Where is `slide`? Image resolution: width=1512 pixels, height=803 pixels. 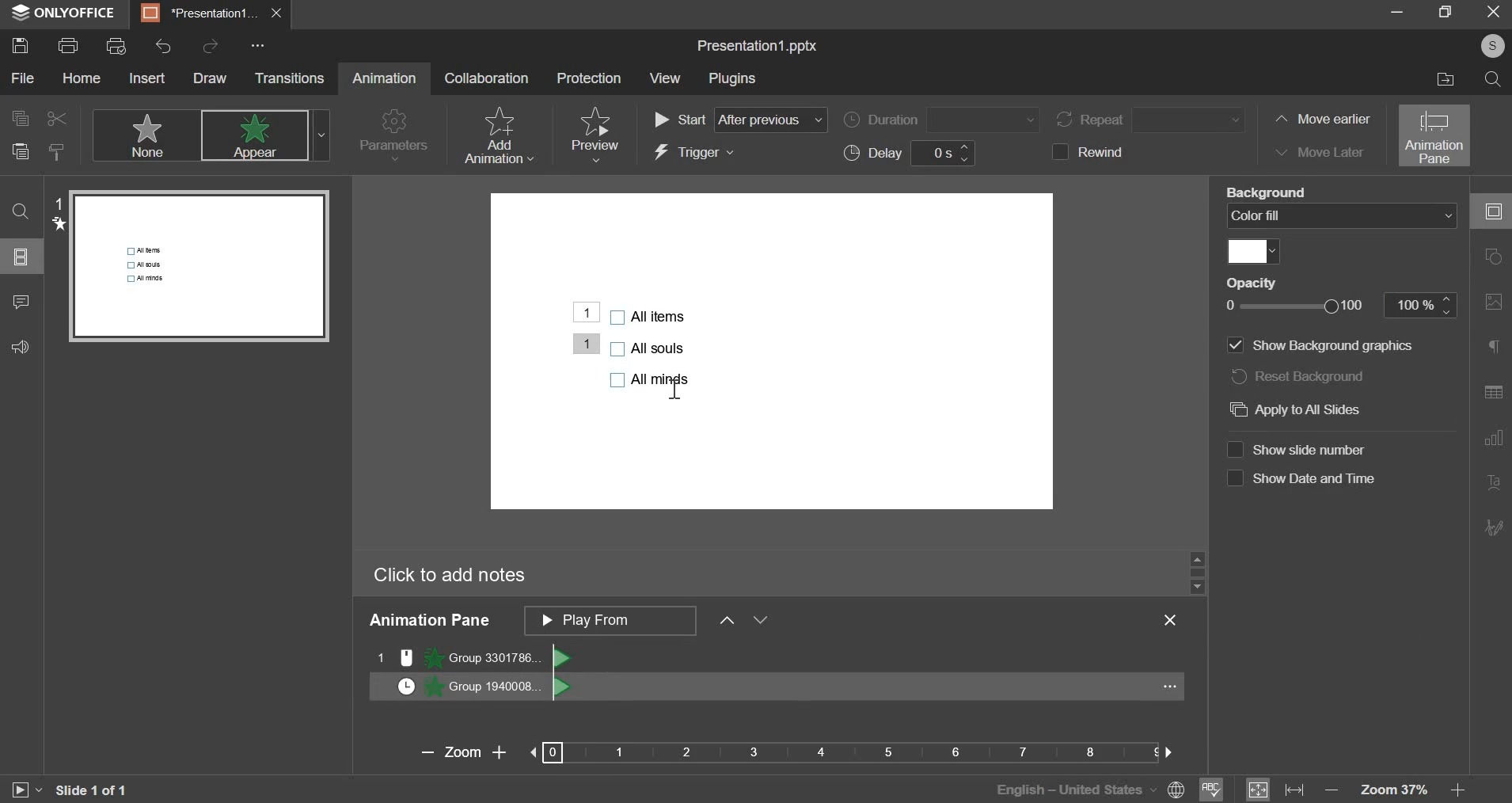
slide is located at coordinates (23, 257).